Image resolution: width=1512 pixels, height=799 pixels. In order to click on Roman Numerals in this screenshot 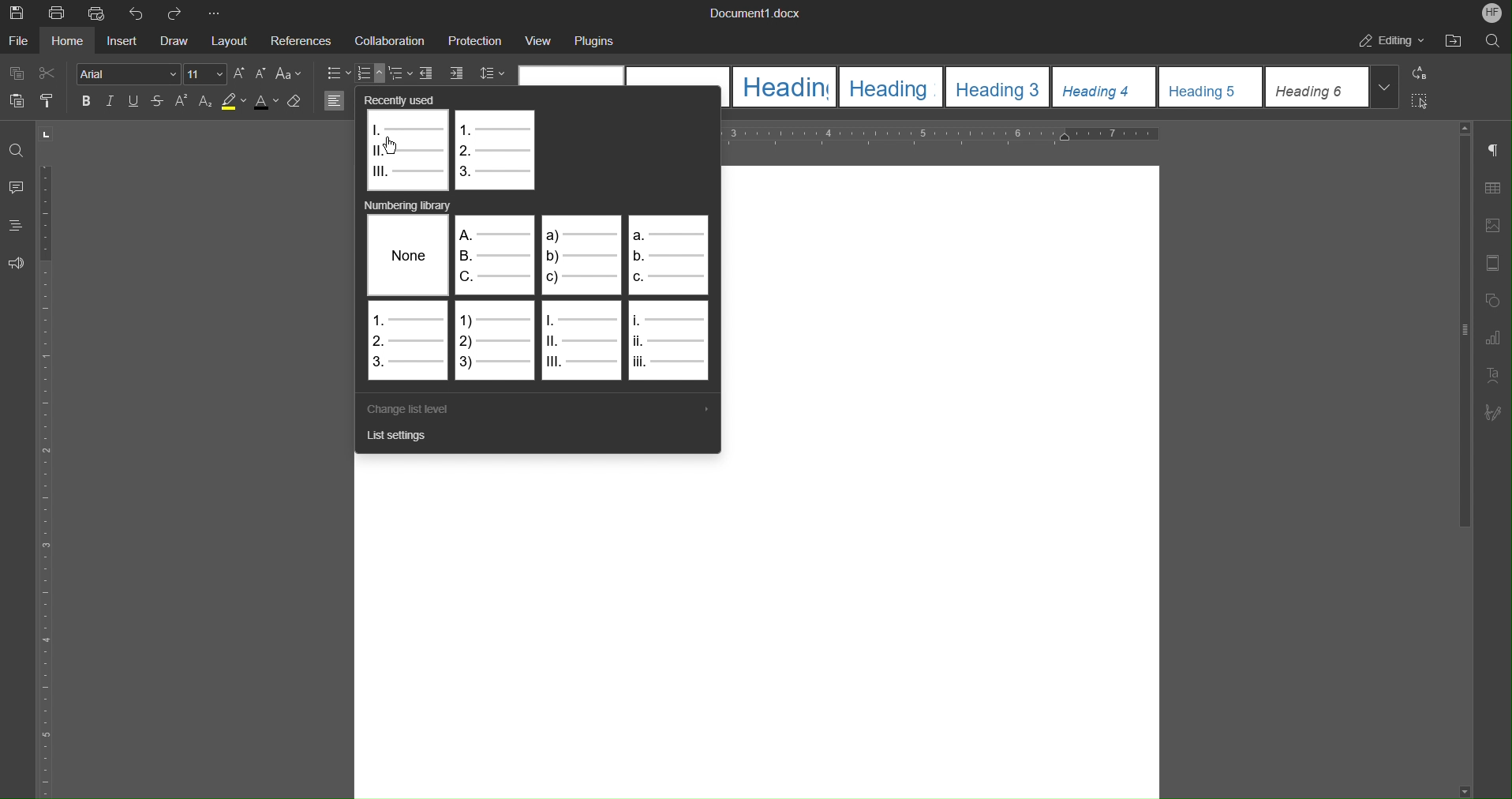, I will do `click(410, 150)`.